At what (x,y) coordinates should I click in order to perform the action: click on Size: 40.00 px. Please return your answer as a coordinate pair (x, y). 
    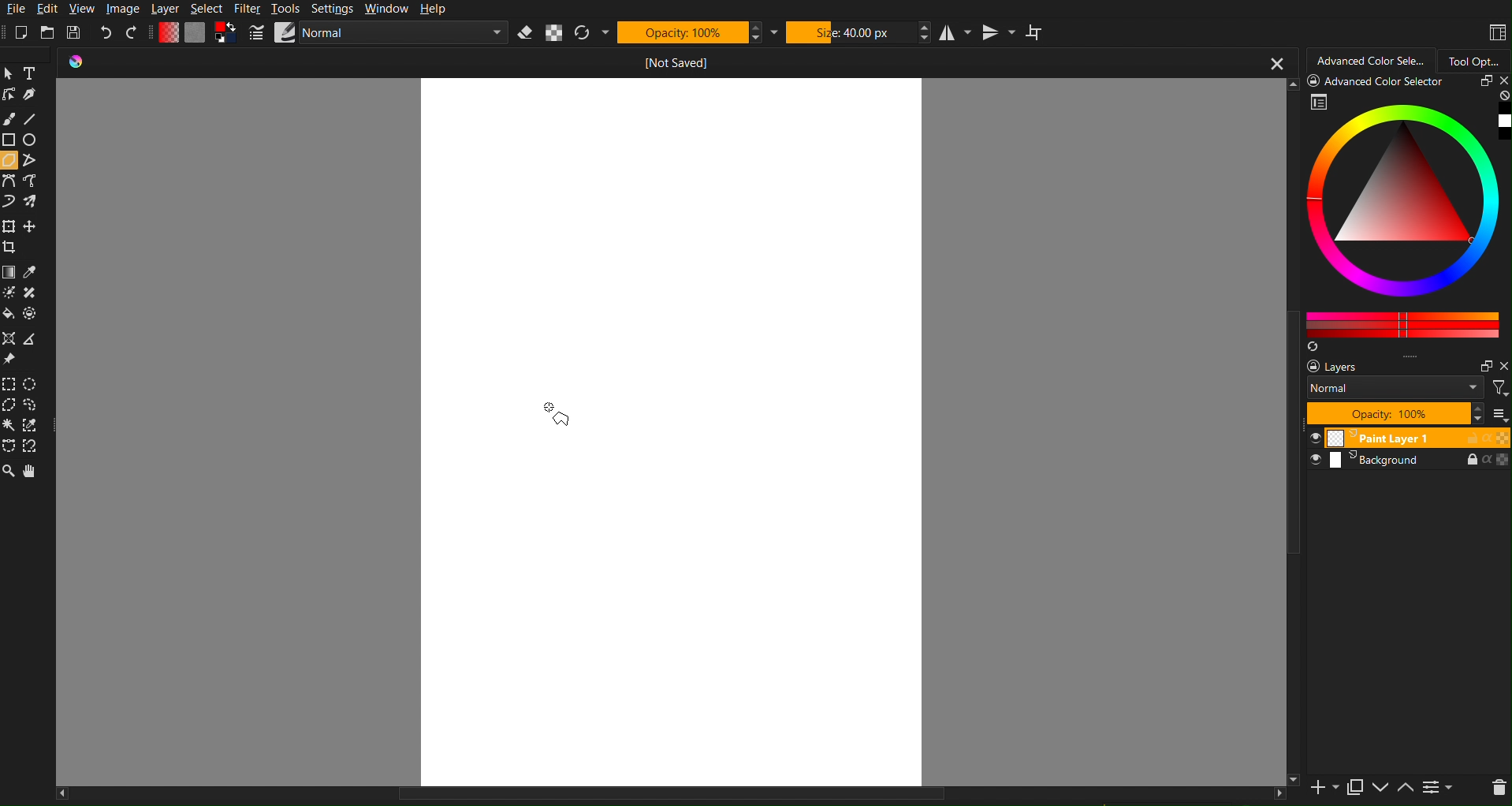
    Looking at the image, I should click on (851, 32).